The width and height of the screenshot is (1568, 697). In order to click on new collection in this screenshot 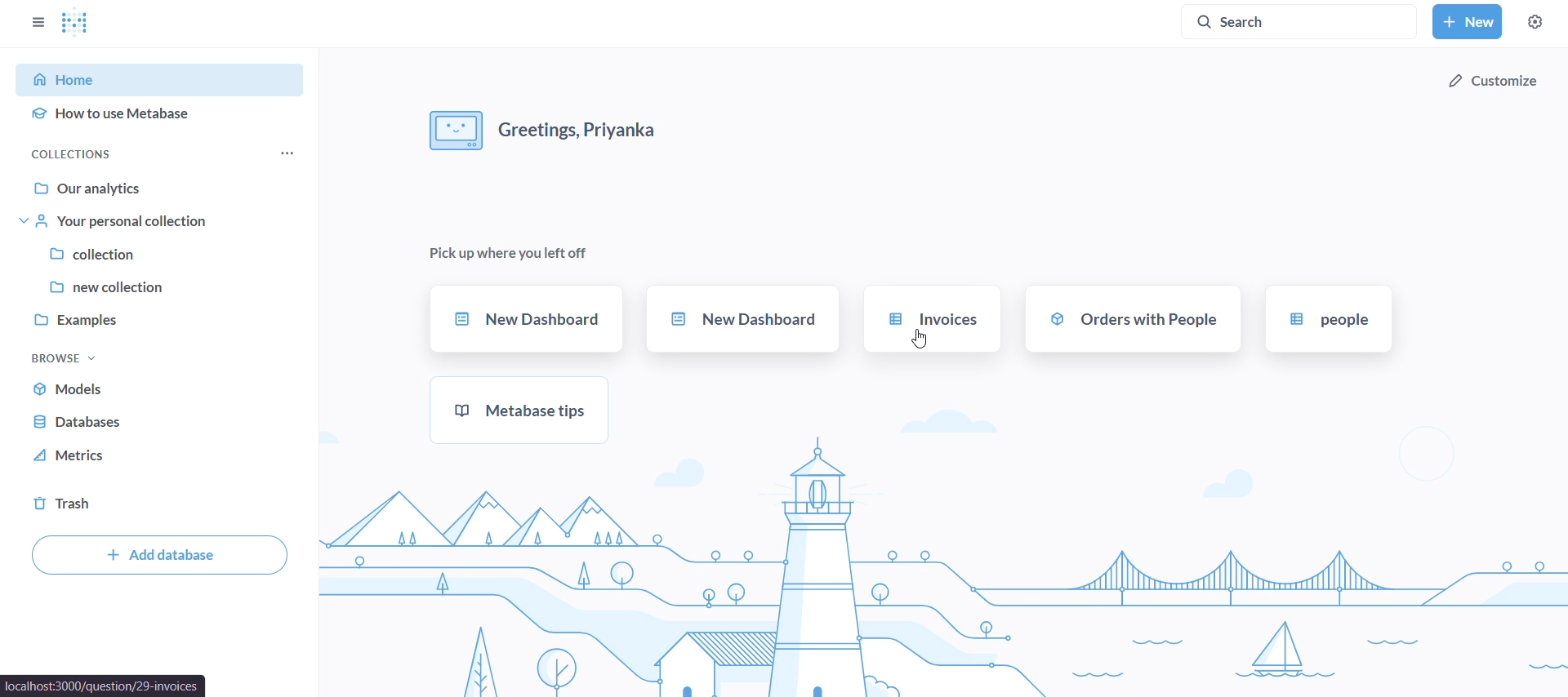, I will do `click(162, 286)`.